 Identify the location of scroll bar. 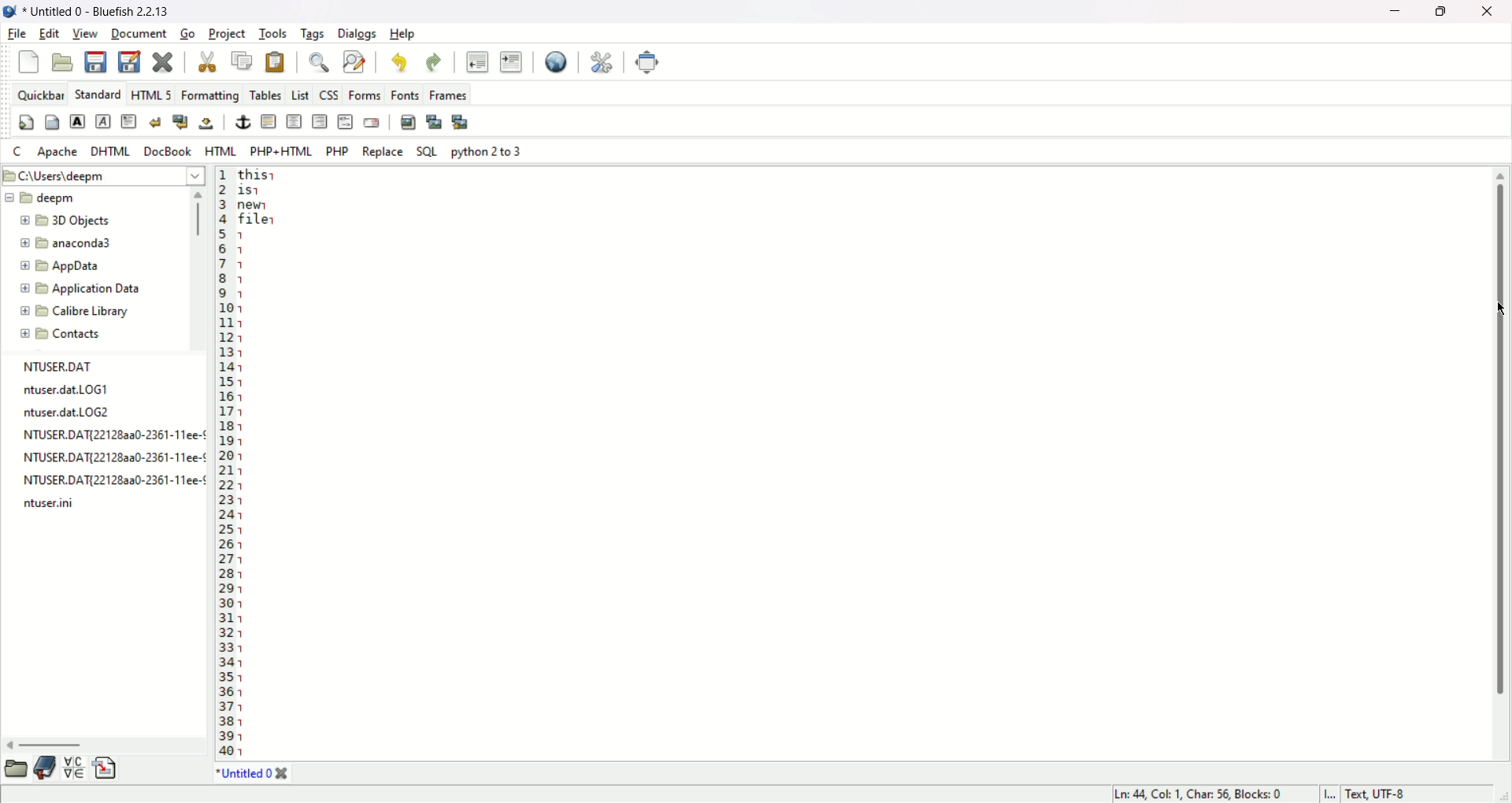
(1499, 460).